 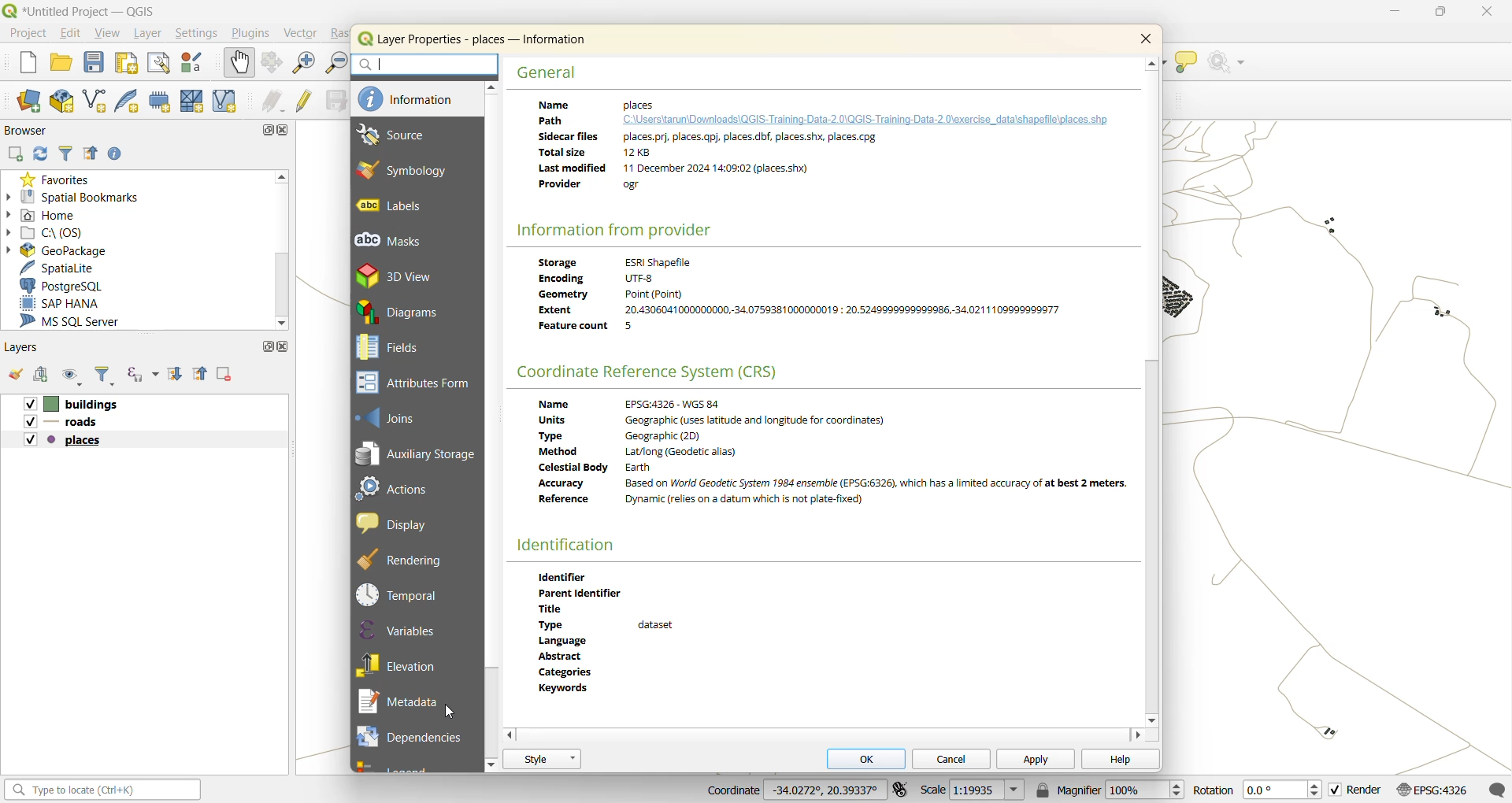 I want to click on scroll bar, so click(x=281, y=284).